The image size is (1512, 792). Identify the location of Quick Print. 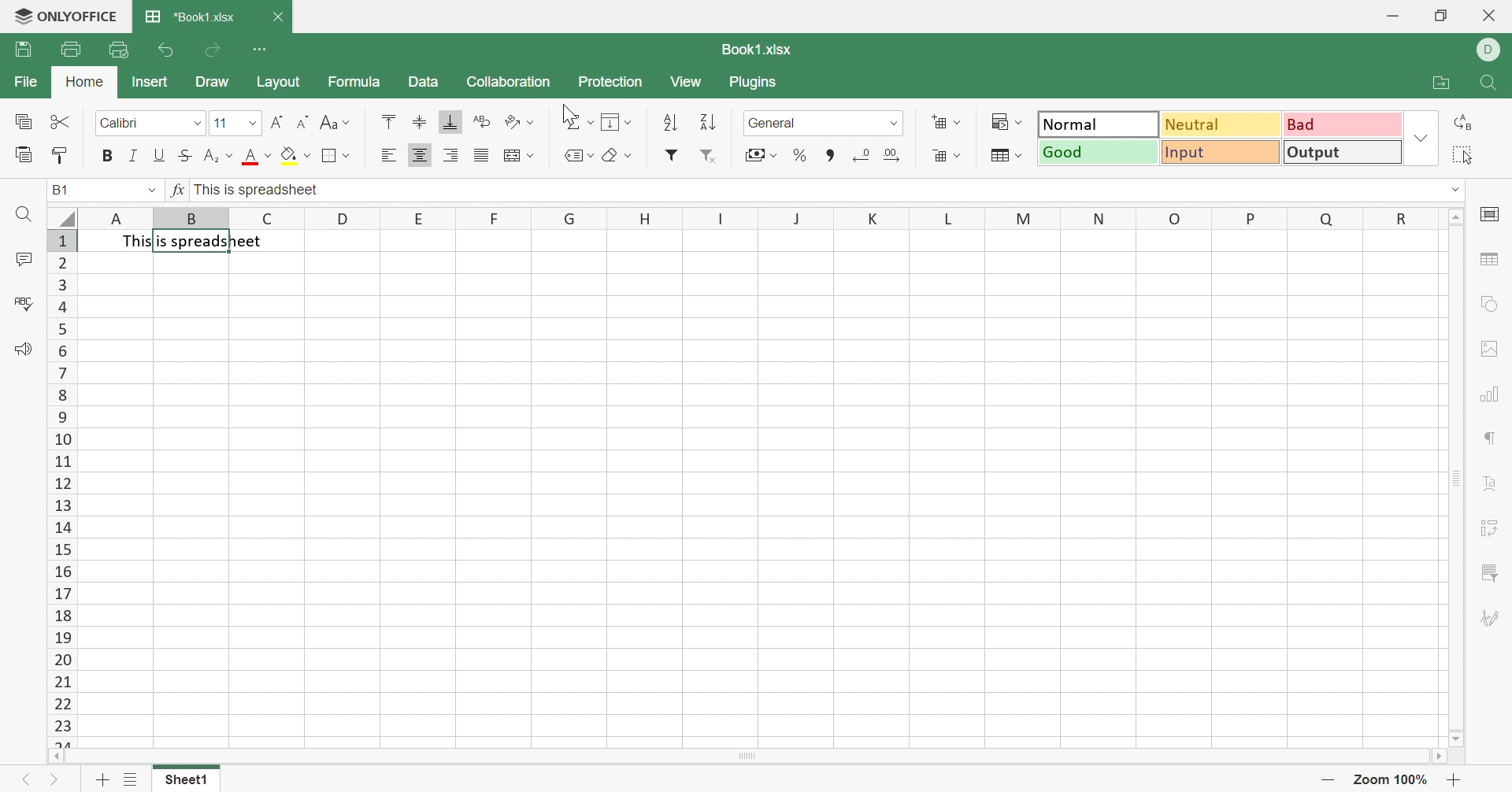
(116, 51).